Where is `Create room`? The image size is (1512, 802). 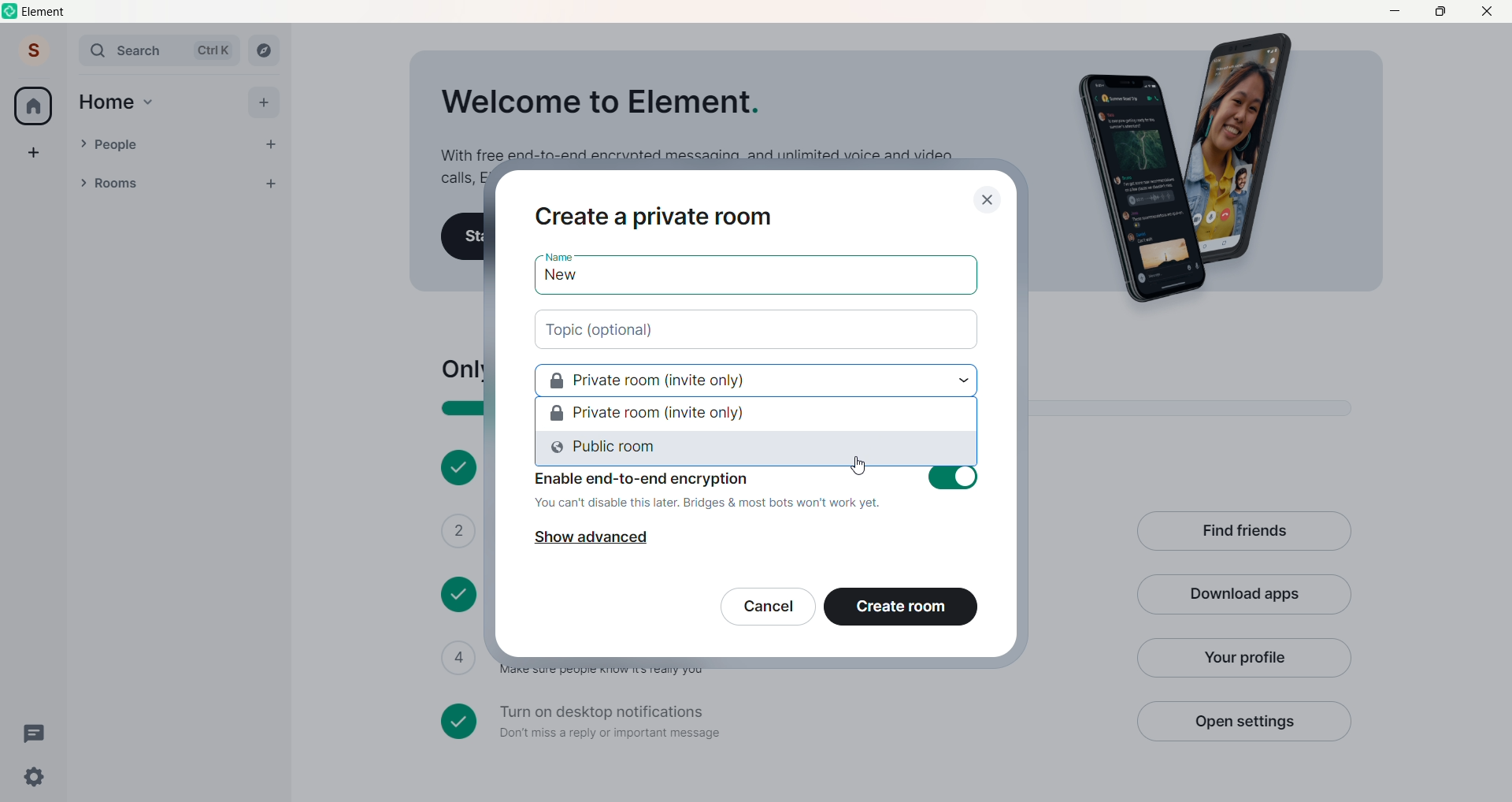 Create room is located at coordinates (901, 607).